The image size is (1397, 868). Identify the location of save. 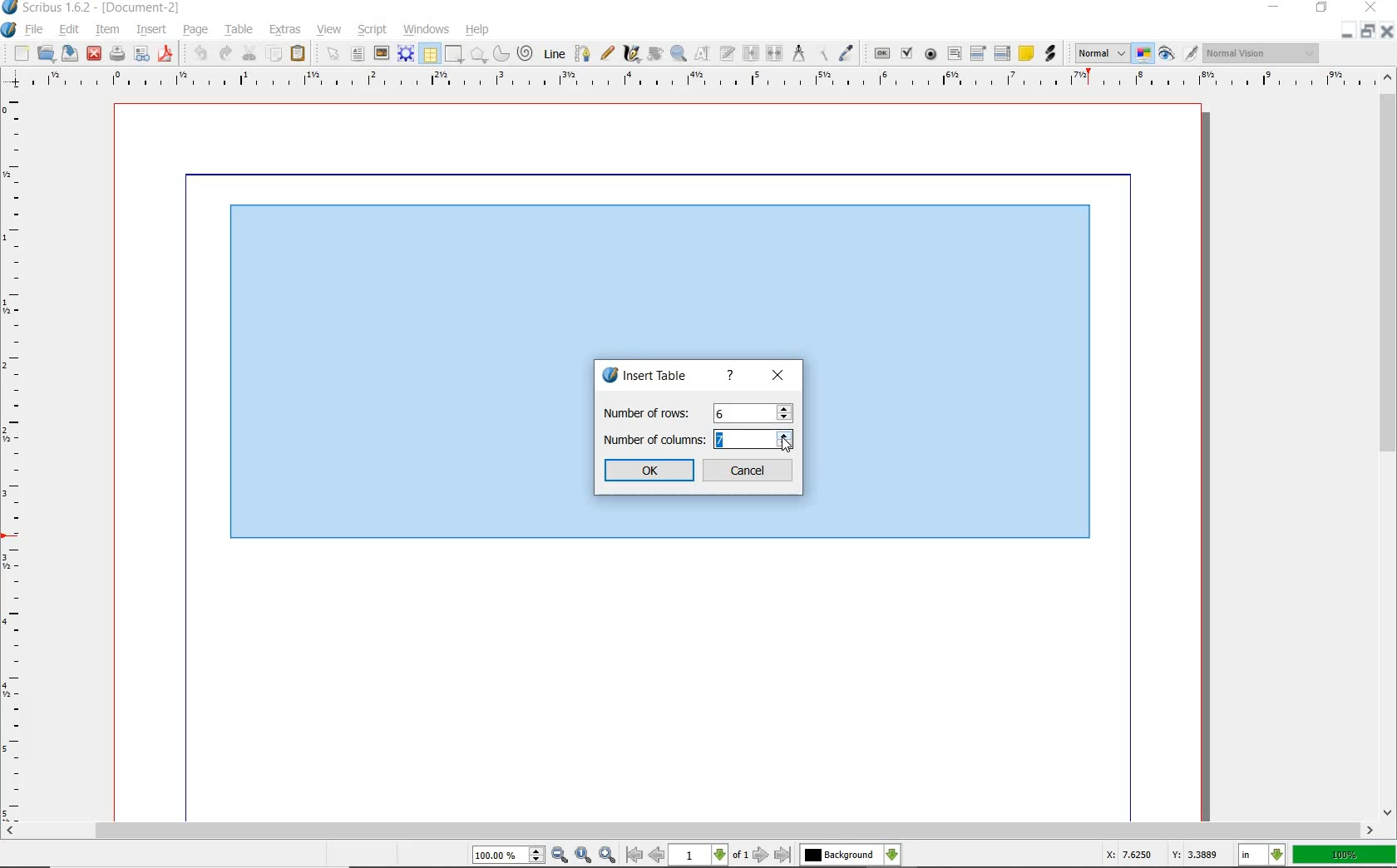
(69, 55).